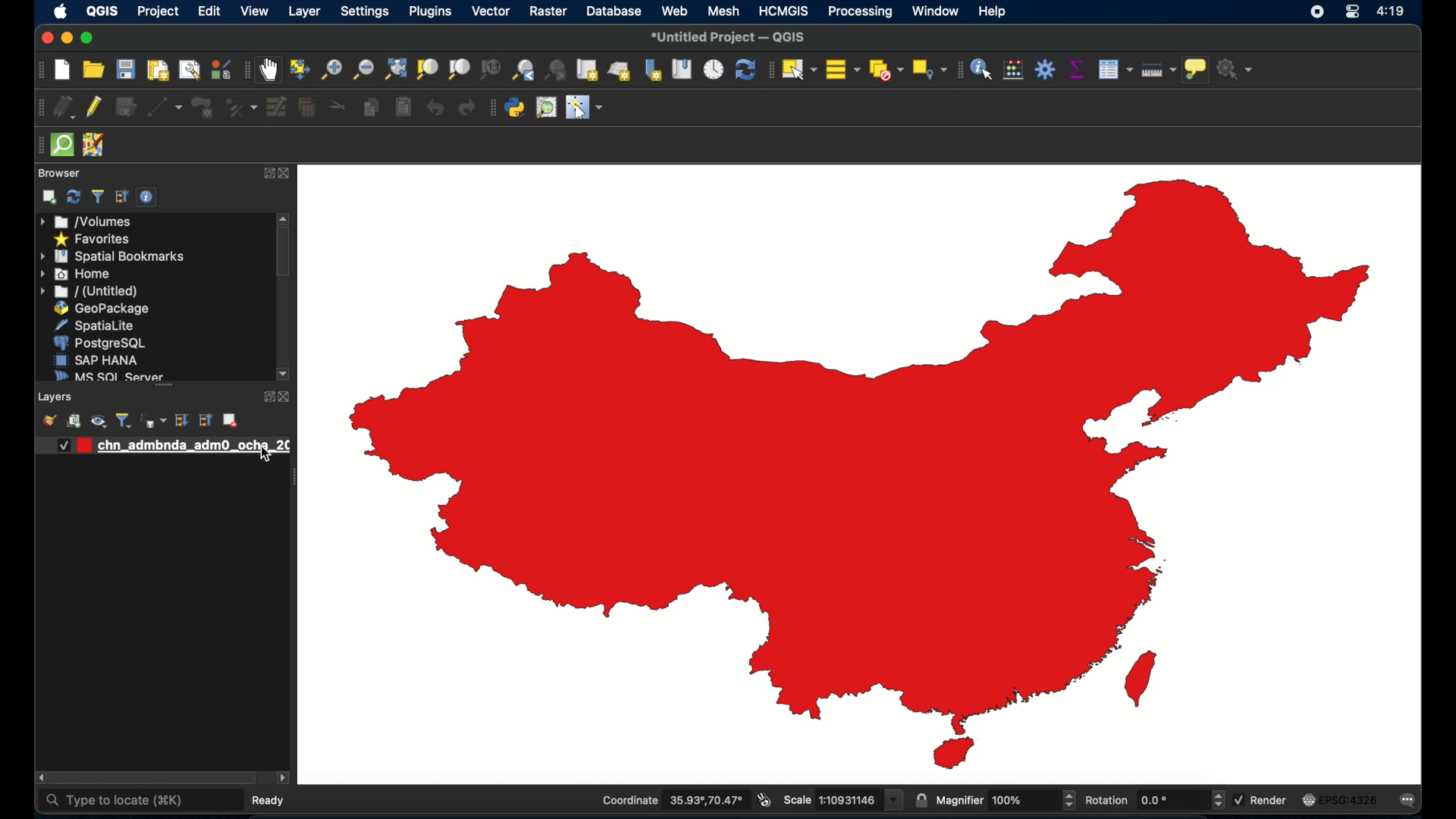  Describe the element at coordinates (860, 11) in the screenshot. I see `processing` at that location.